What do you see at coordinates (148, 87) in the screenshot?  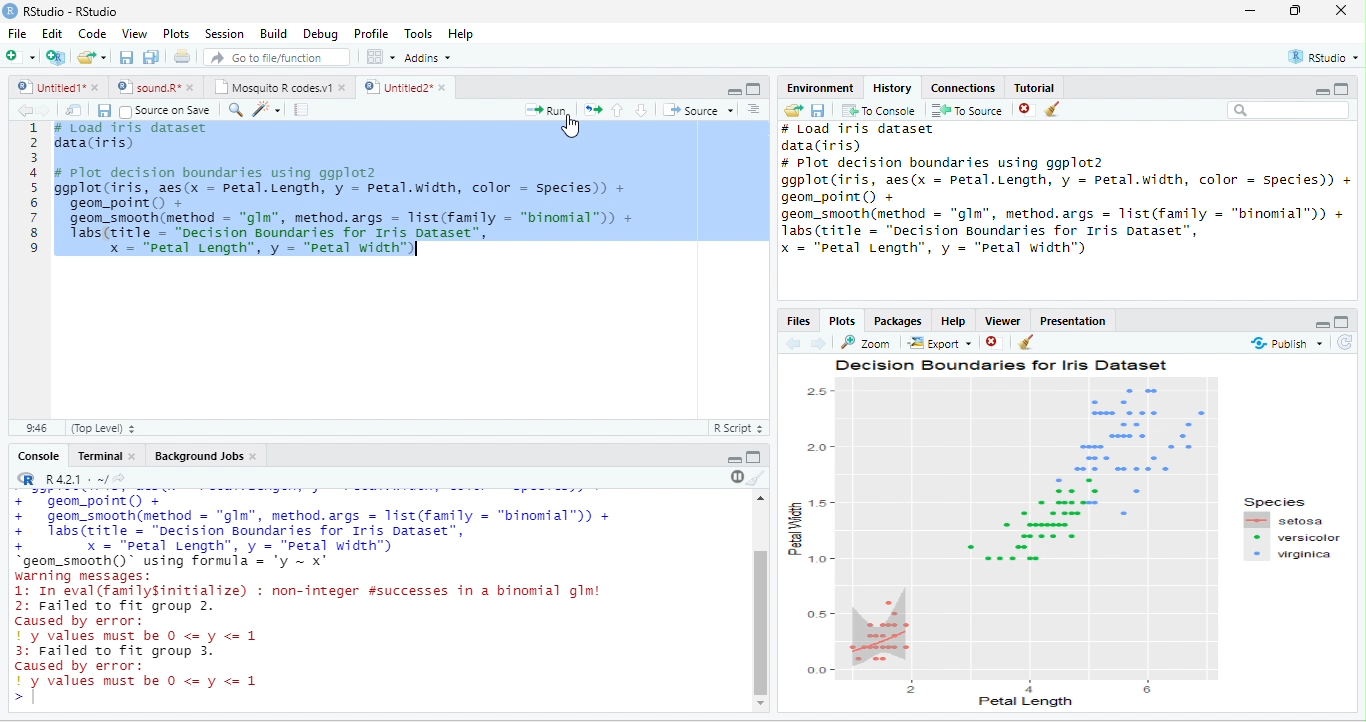 I see `sound.R` at bounding box center [148, 87].